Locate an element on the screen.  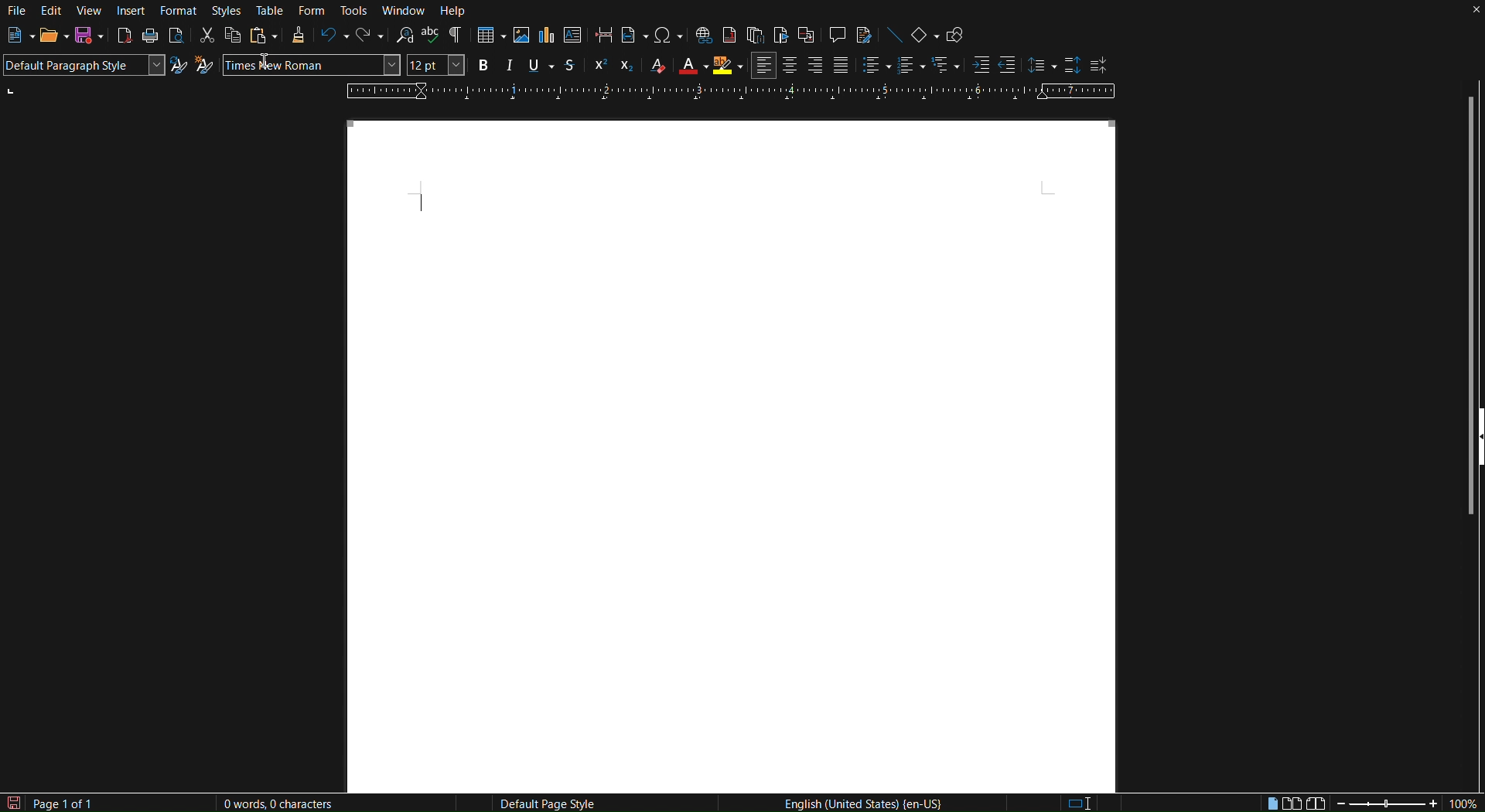
Times New Roman is located at coordinates (285, 65).